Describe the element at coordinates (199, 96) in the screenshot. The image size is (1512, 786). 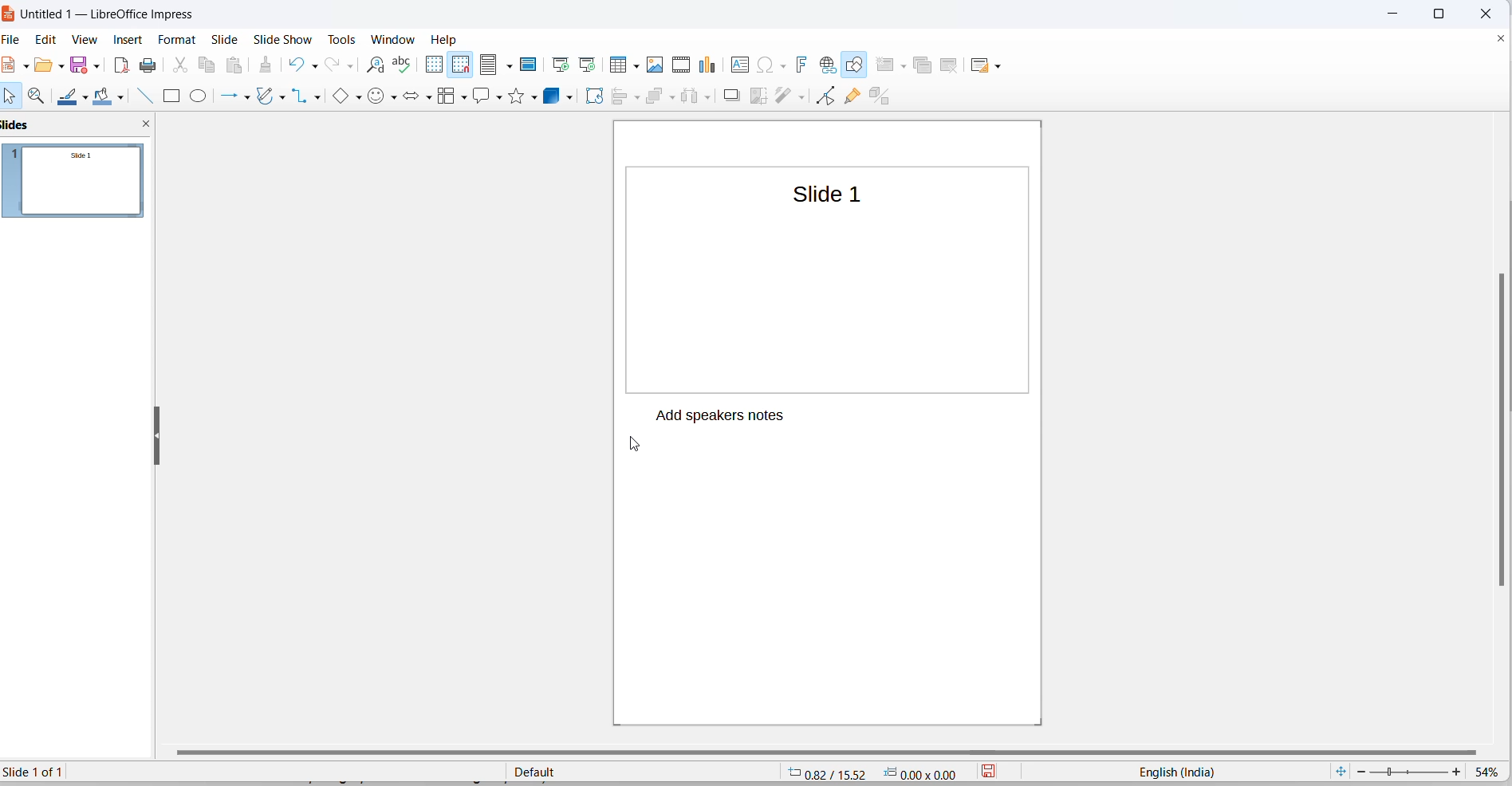
I see `ellipse` at that location.